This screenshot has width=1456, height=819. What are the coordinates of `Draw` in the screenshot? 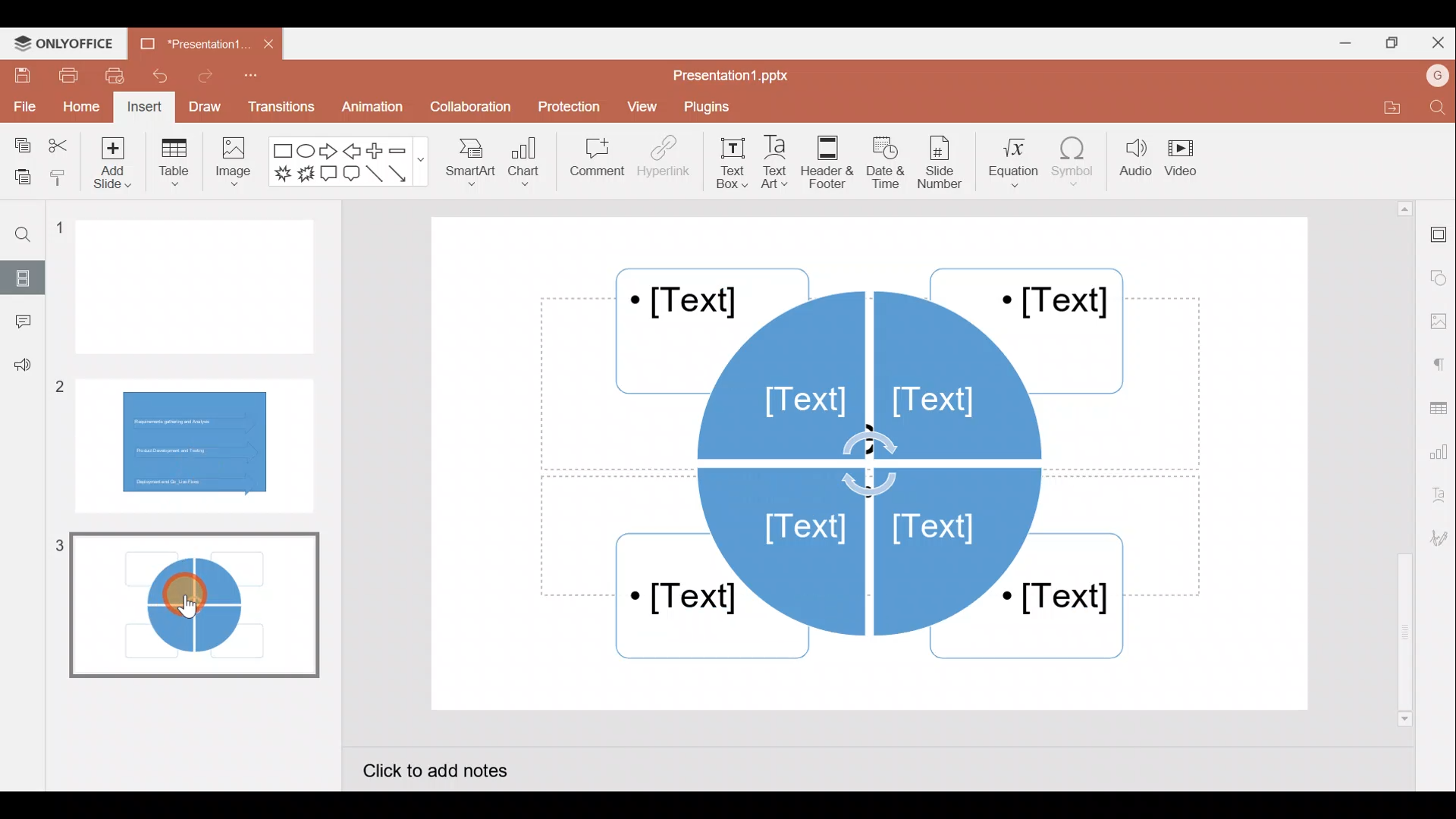 It's located at (203, 105).